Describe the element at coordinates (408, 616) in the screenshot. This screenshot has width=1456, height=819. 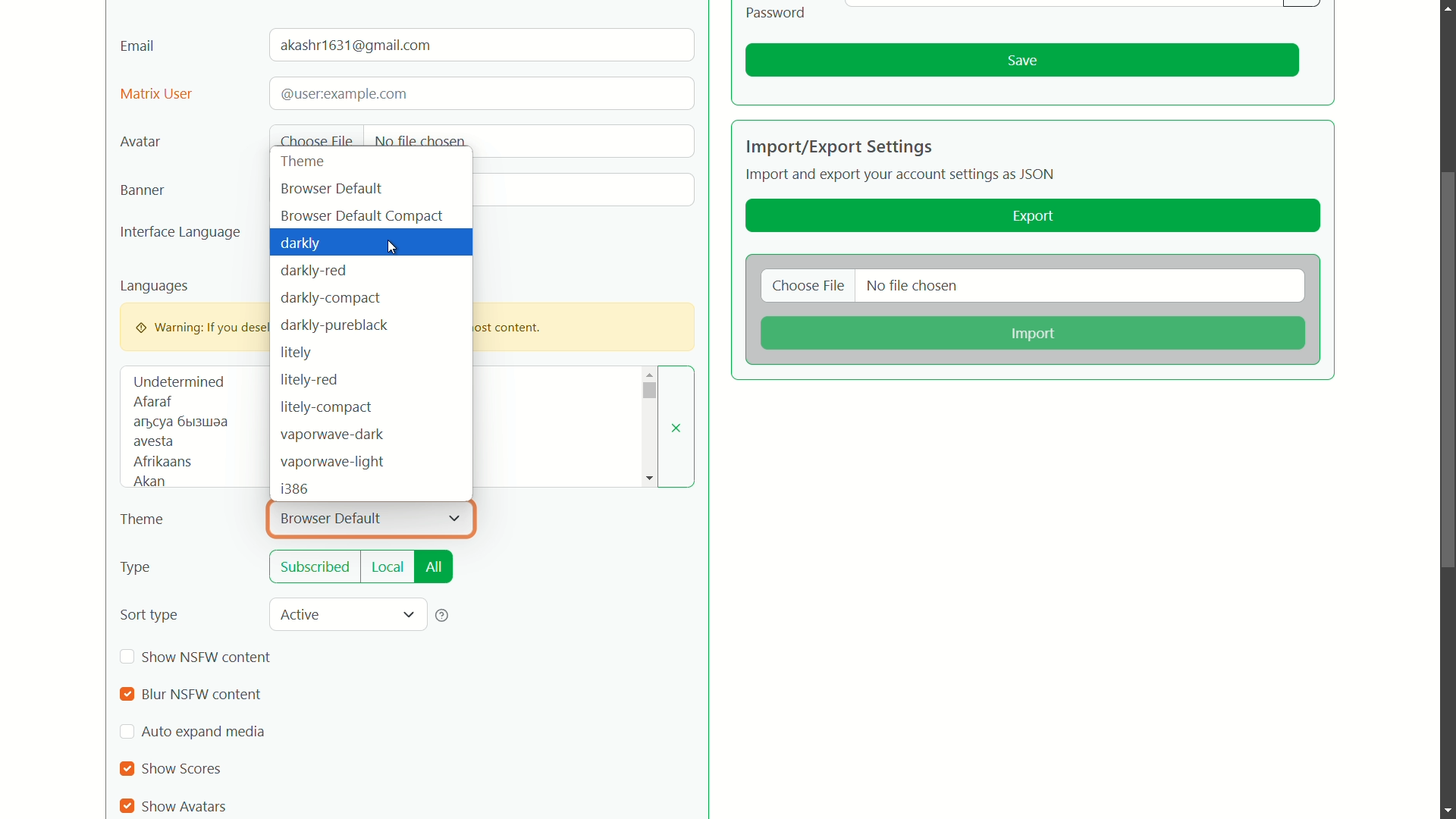
I see `dropdown` at that location.